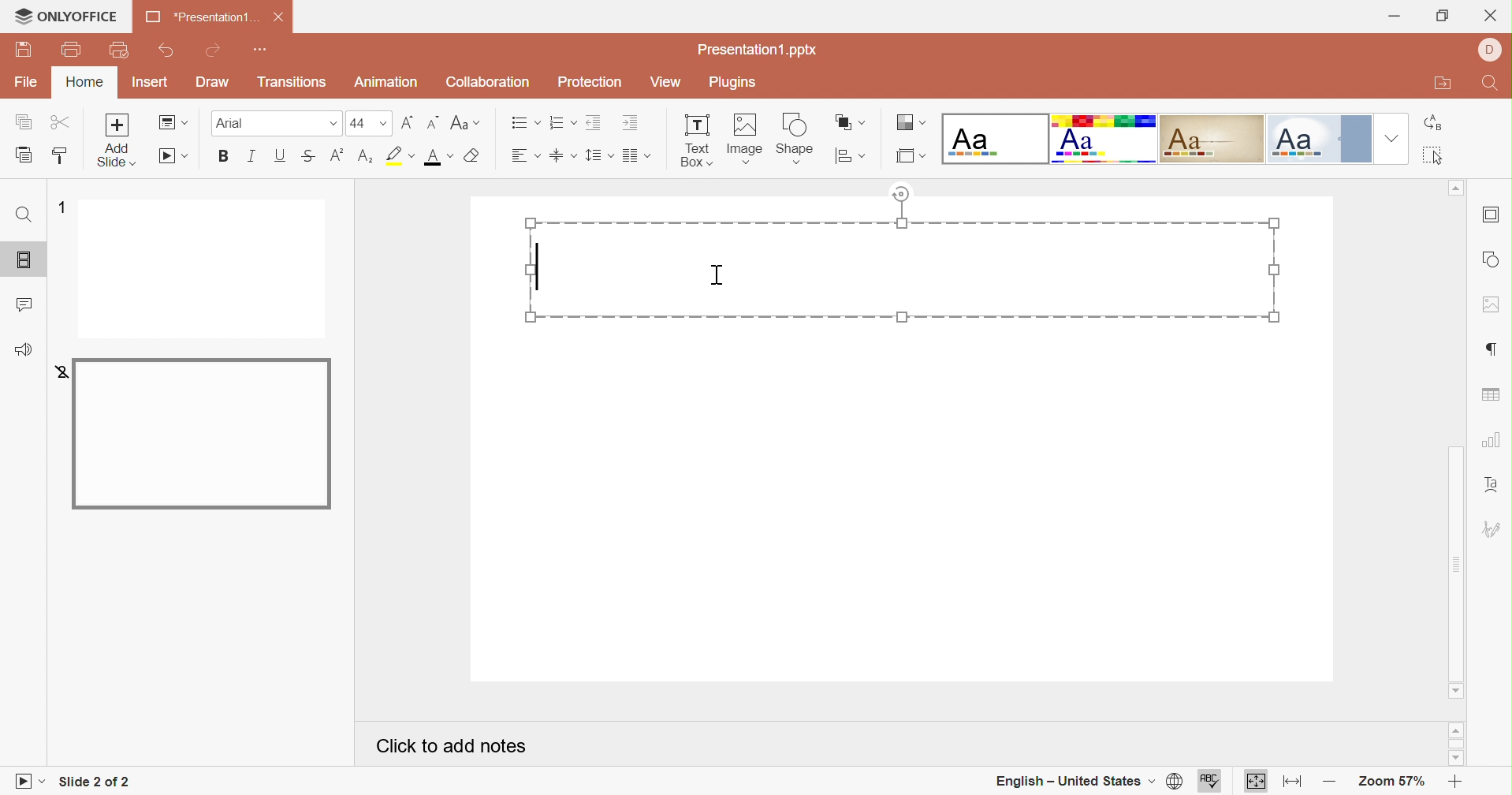 The width and height of the screenshot is (1512, 795). Describe the element at coordinates (851, 121) in the screenshot. I see `Arrange shape` at that location.